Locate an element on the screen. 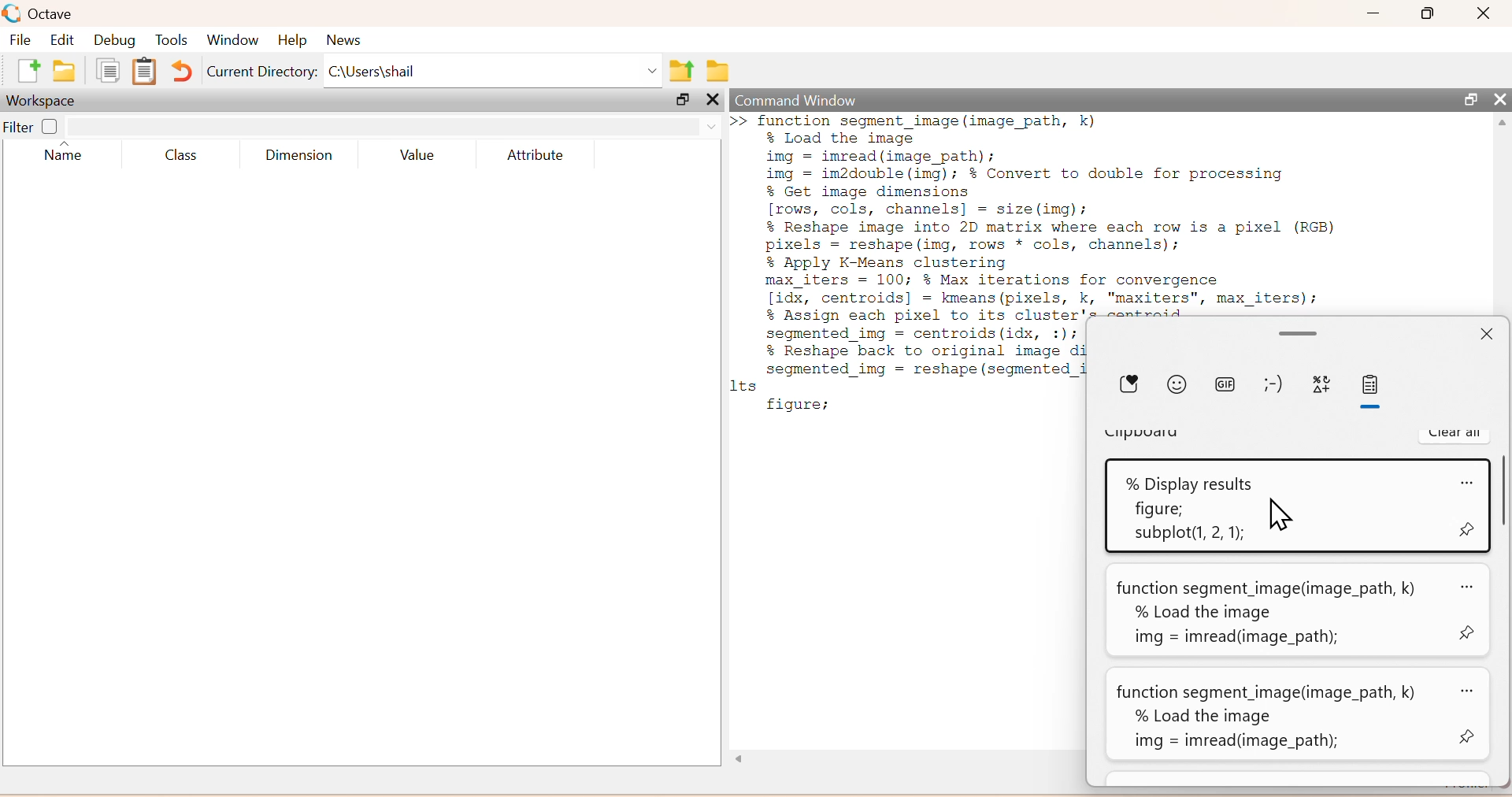  scroll up is located at coordinates (1500, 124).